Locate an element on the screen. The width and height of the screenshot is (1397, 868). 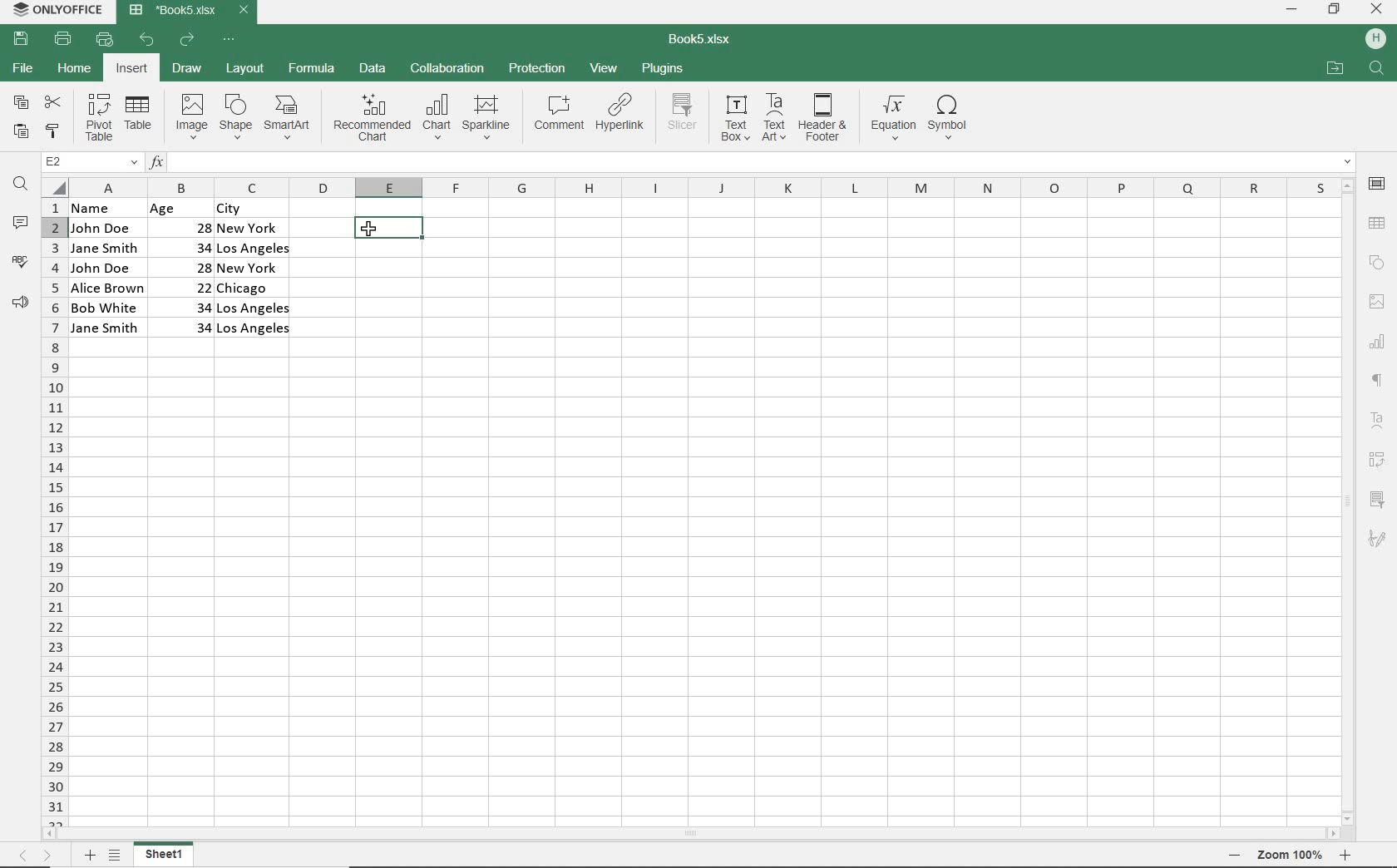
HYPERLINK is located at coordinates (621, 117).